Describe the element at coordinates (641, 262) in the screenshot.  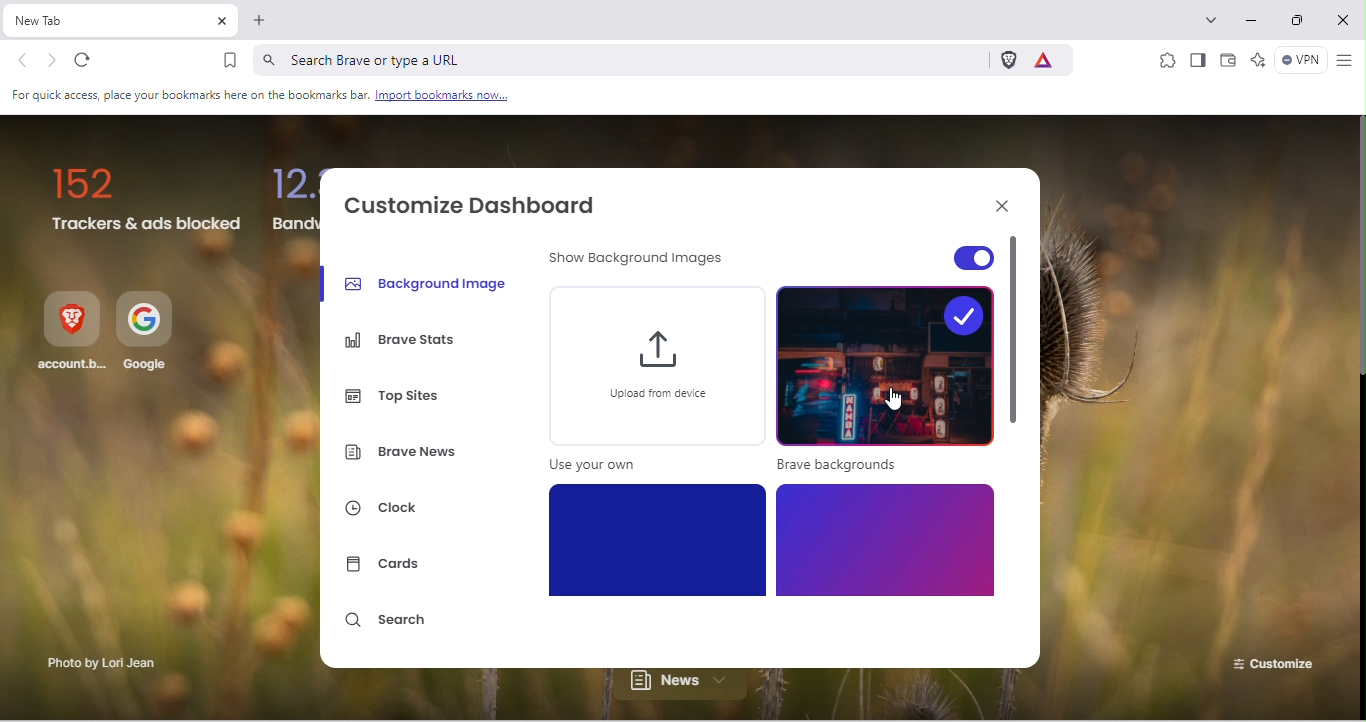
I see `Show background images` at that location.